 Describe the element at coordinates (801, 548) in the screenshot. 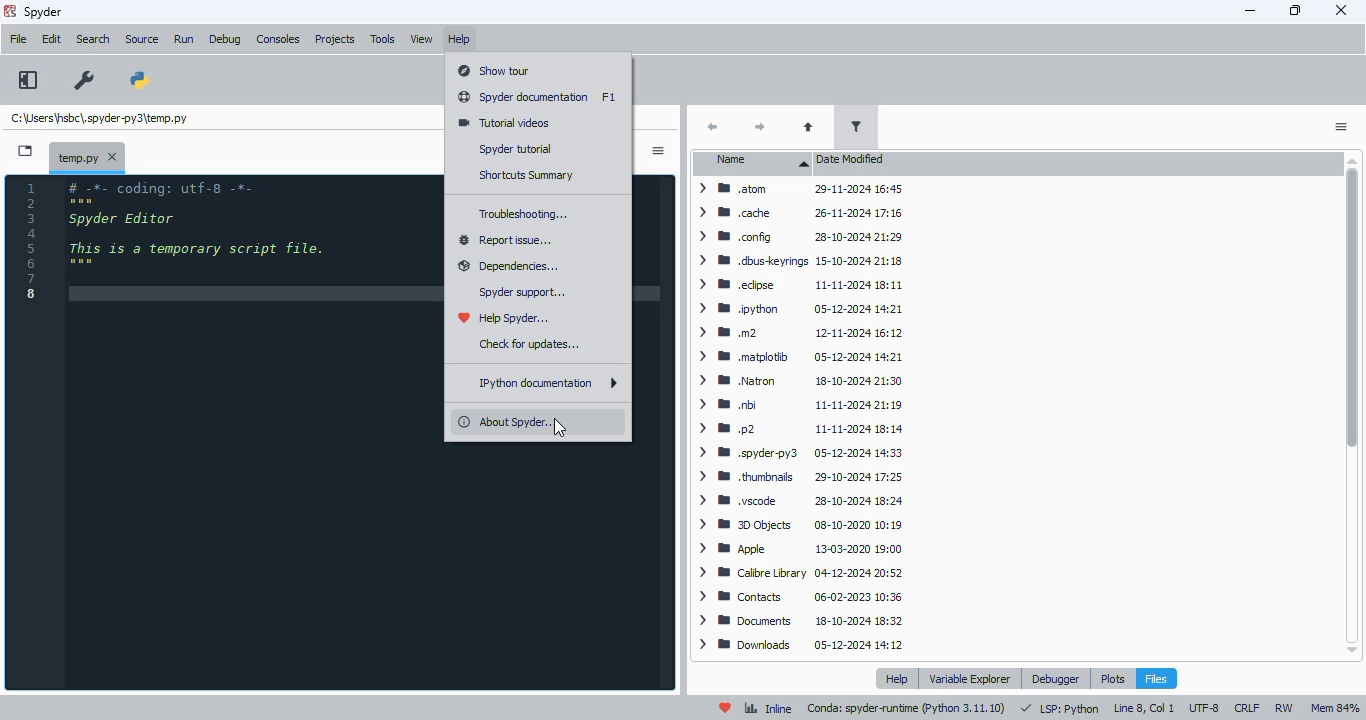

I see `> mm Apple 13-03-2020 19:00` at that location.